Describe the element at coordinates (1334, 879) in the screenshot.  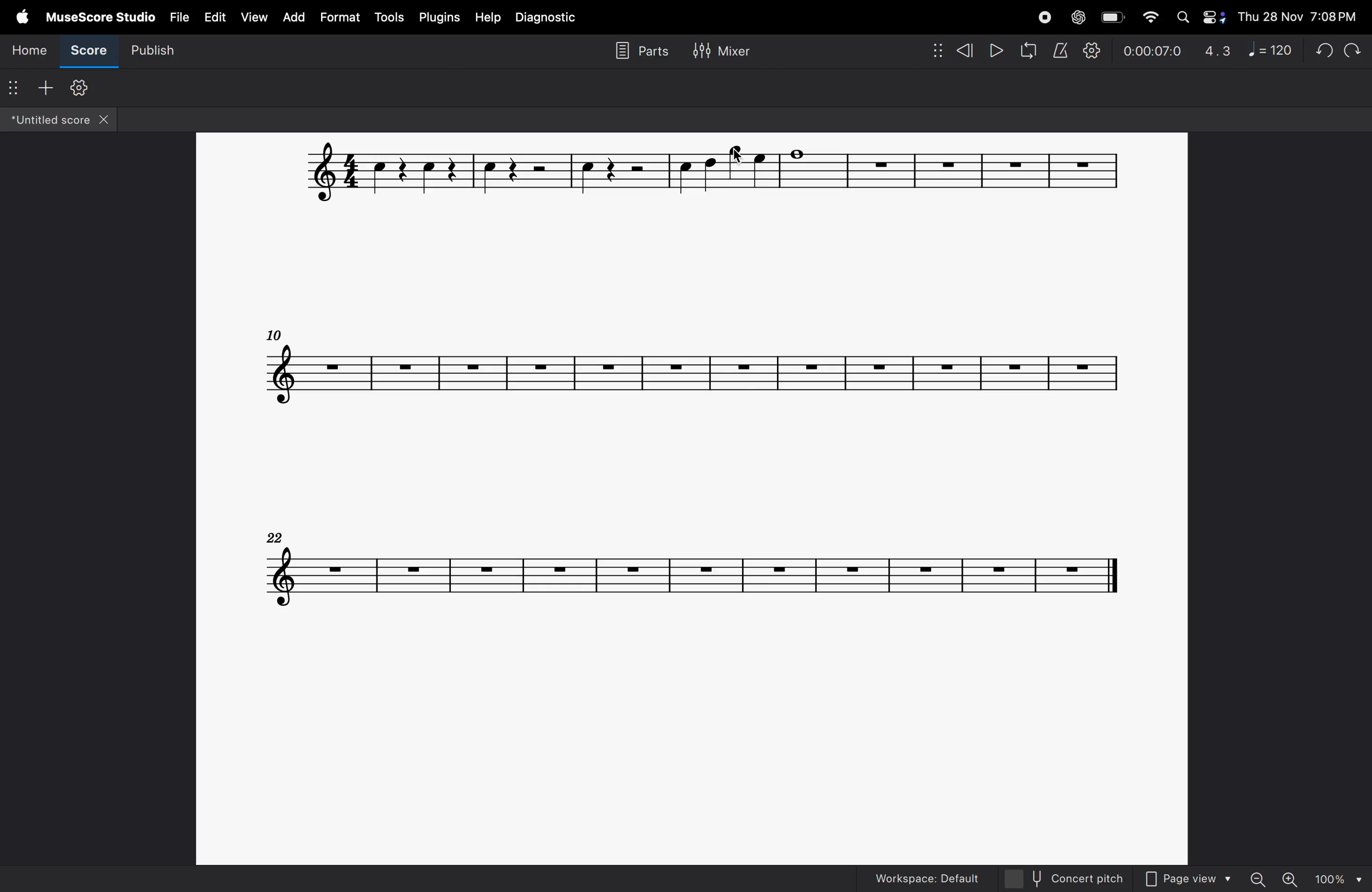
I see `100` at that location.